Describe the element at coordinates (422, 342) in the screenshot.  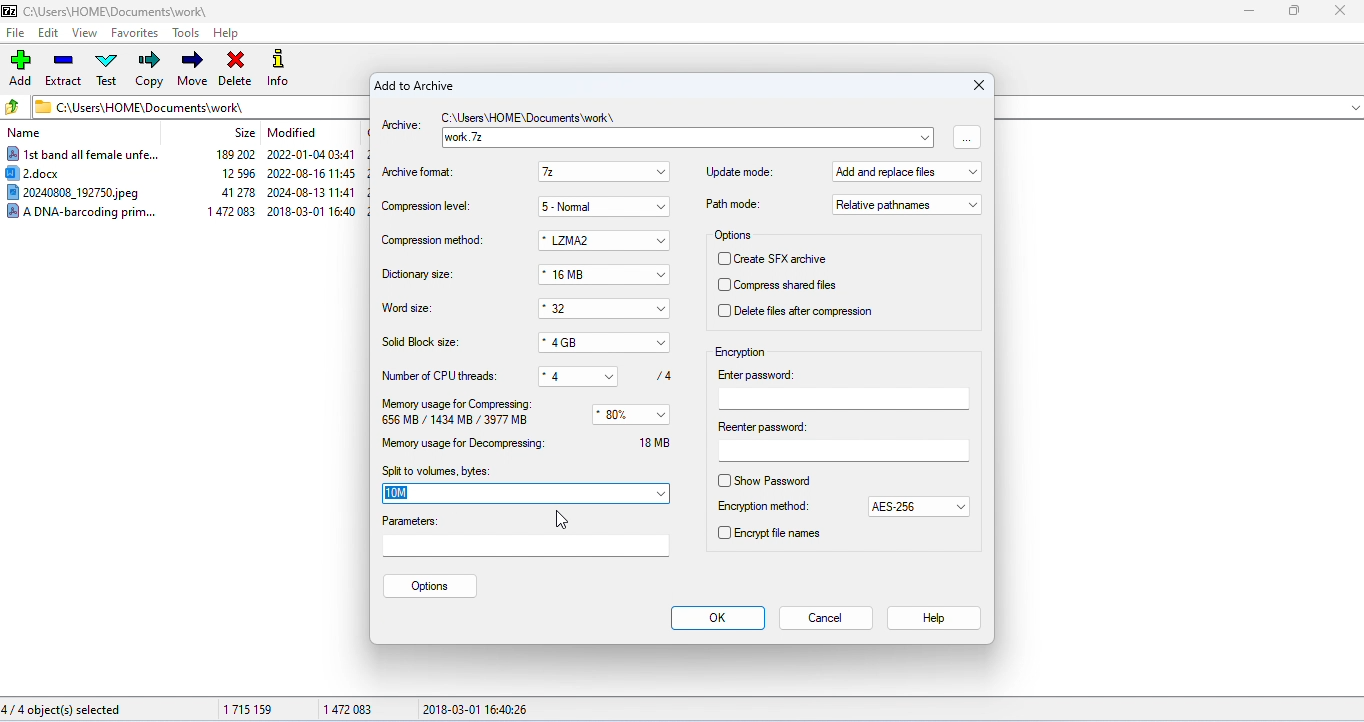
I see `solid block size` at that location.